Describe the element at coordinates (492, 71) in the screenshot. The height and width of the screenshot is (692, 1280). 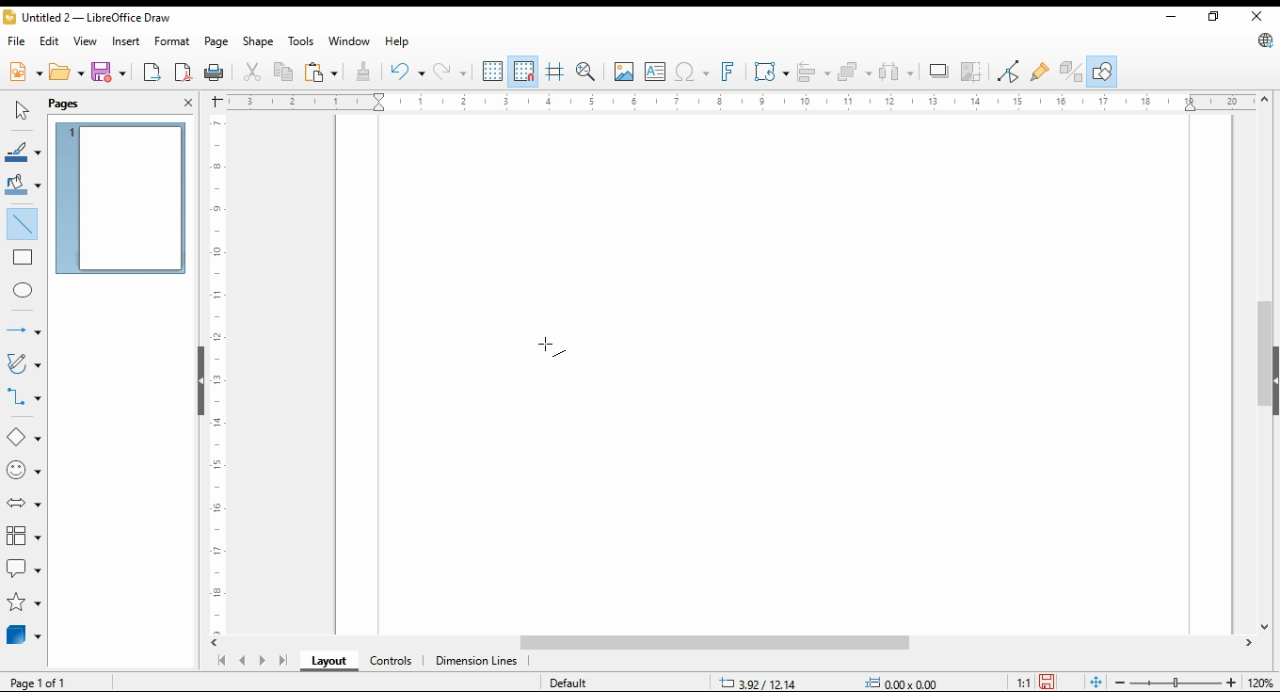
I see `show grids` at that location.